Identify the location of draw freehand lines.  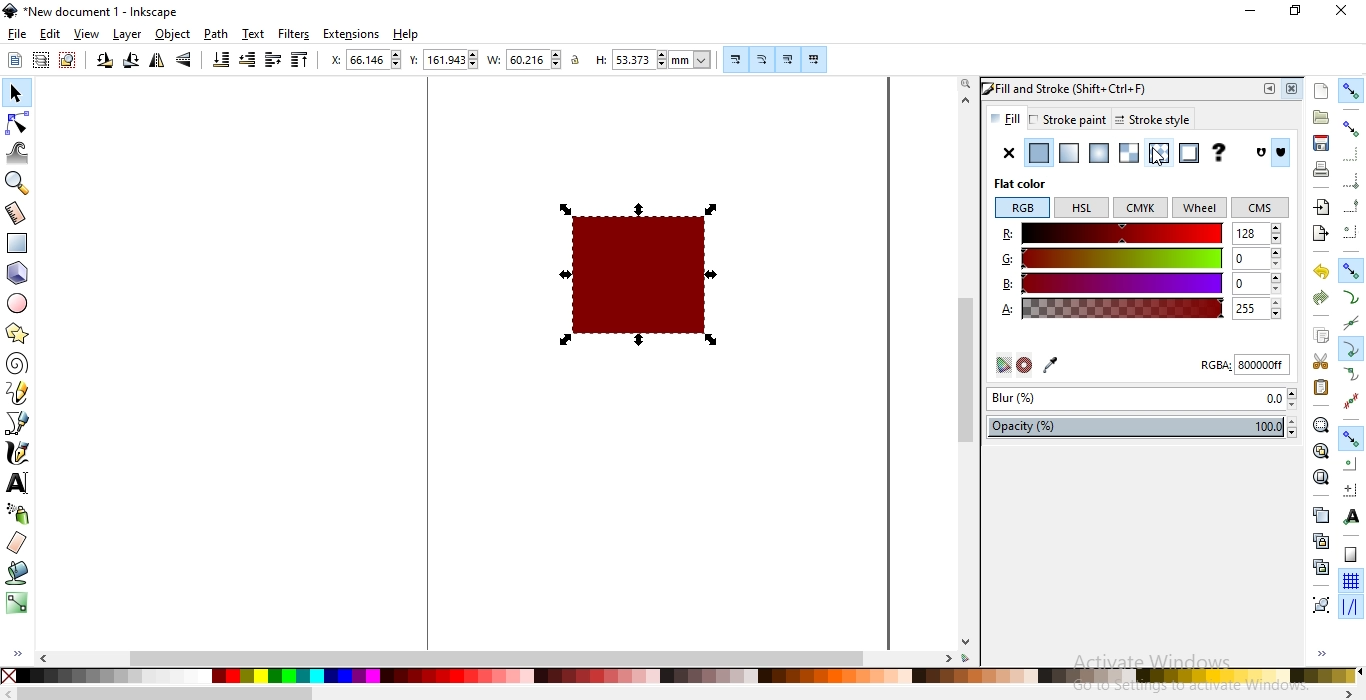
(17, 393).